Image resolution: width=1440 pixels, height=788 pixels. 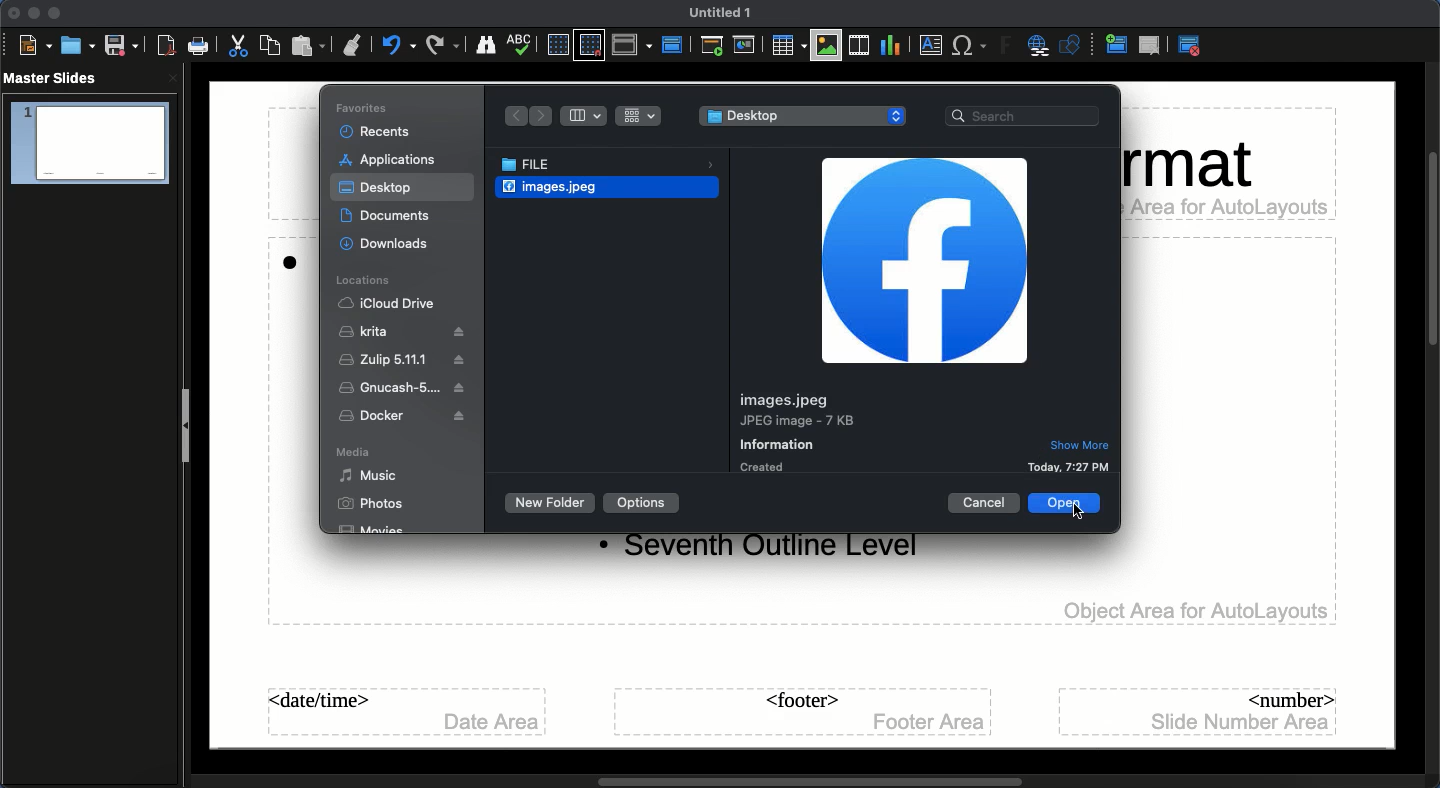 What do you see at coordinates (1074, 45) in the screenshot?
I see `Shapres` at bounding box center [1074, 45].